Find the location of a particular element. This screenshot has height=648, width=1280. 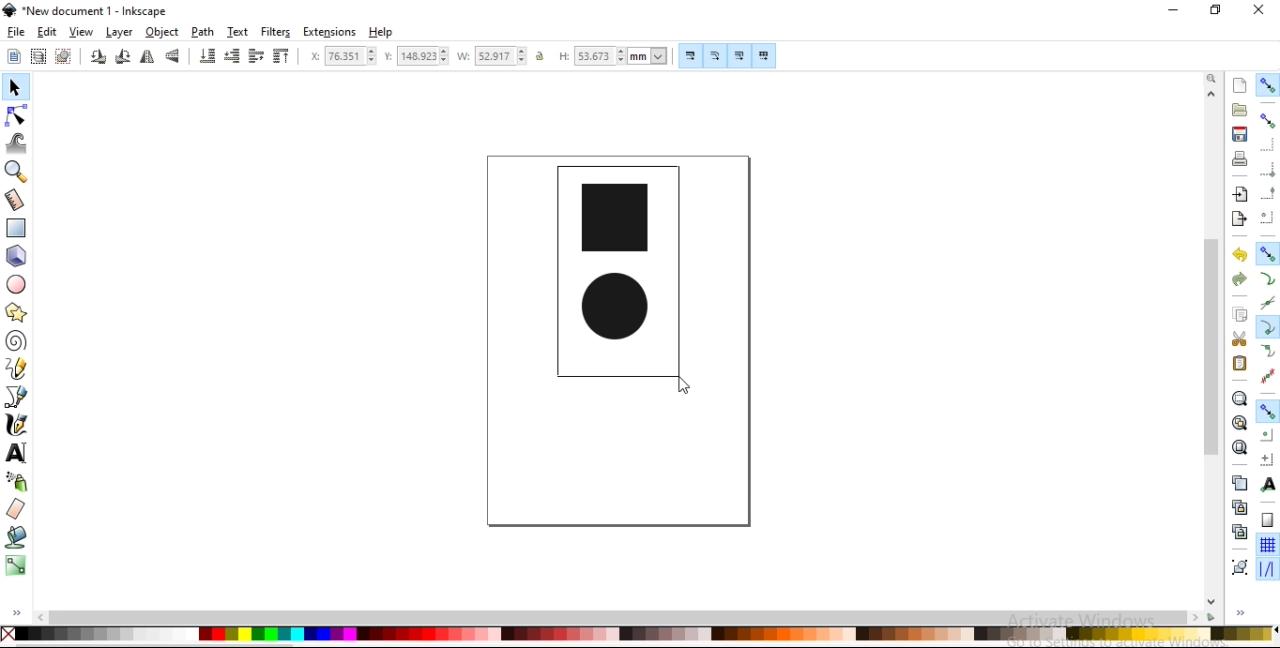

zoom to fit drawing is located at coordinates (1239, 422).